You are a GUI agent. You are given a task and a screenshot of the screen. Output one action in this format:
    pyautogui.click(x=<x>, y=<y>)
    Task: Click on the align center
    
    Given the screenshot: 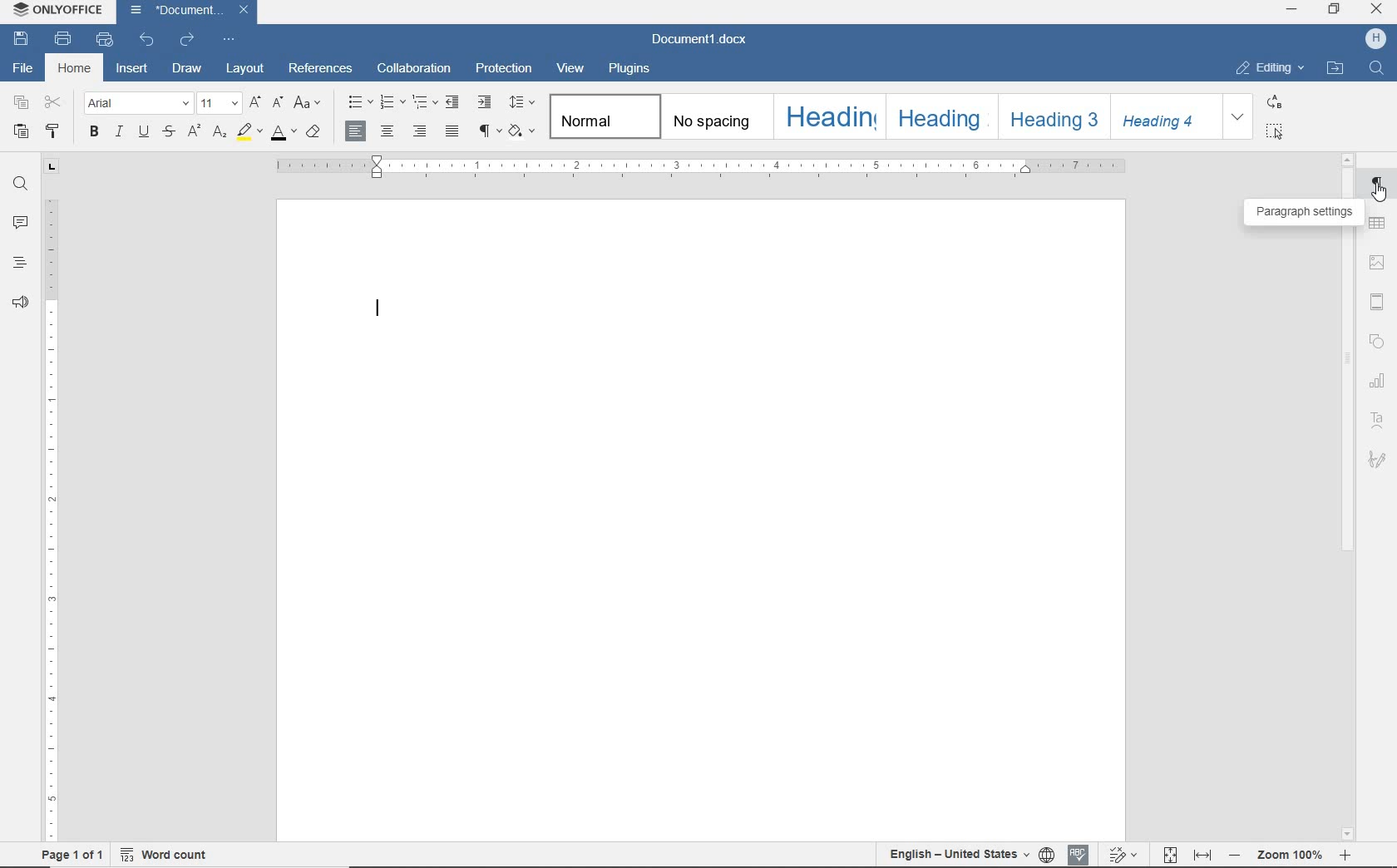 What is the action you would take?
    pyautogui.click(x=388, y=132)
    